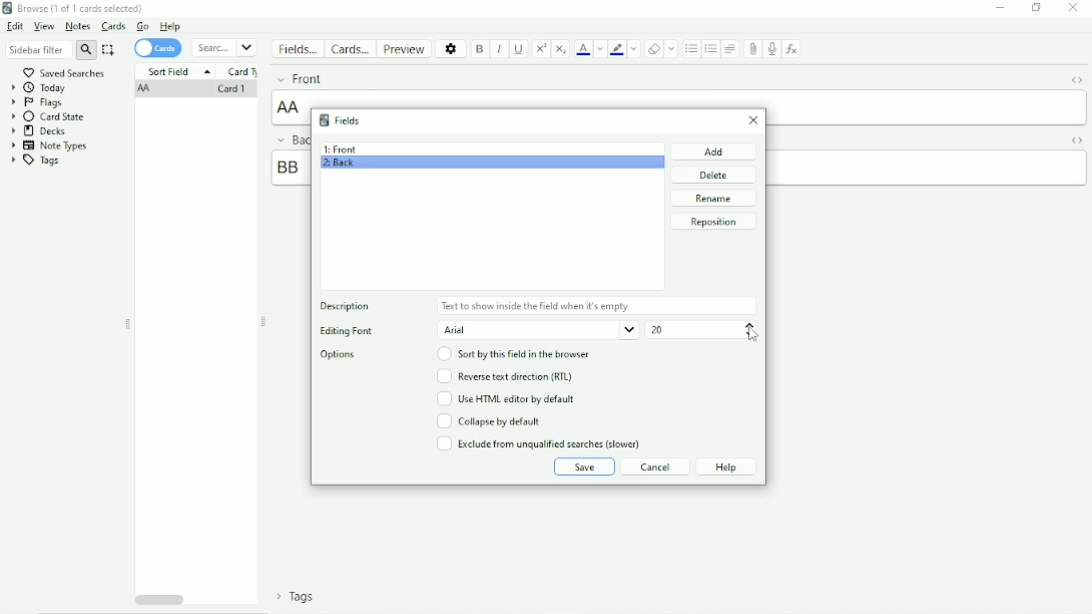 The height and width of the screenshot is (614, 1092). I want to click on Preview, so click(405, 49).